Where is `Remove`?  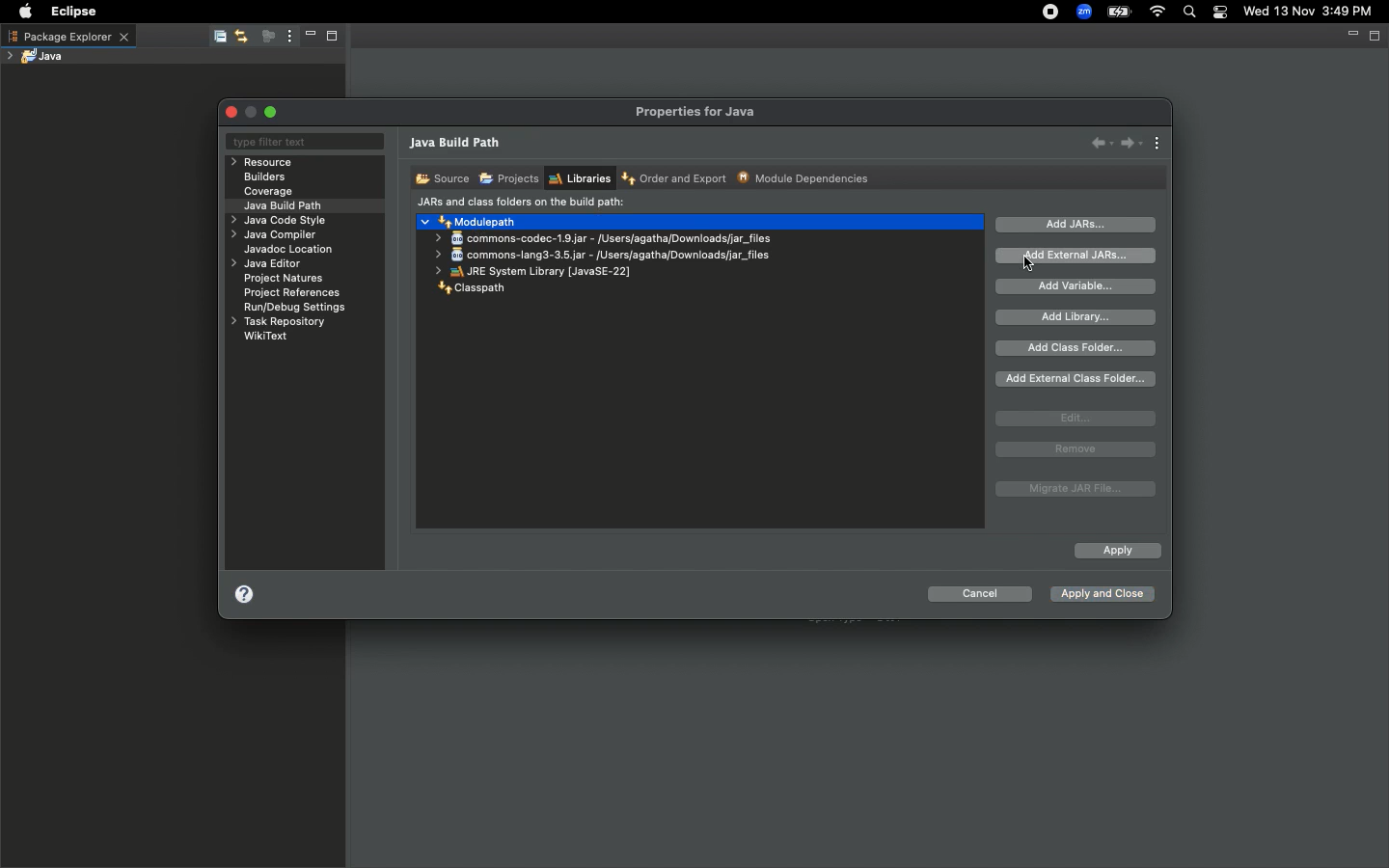 Remove is located at coordinates (1076, 449).